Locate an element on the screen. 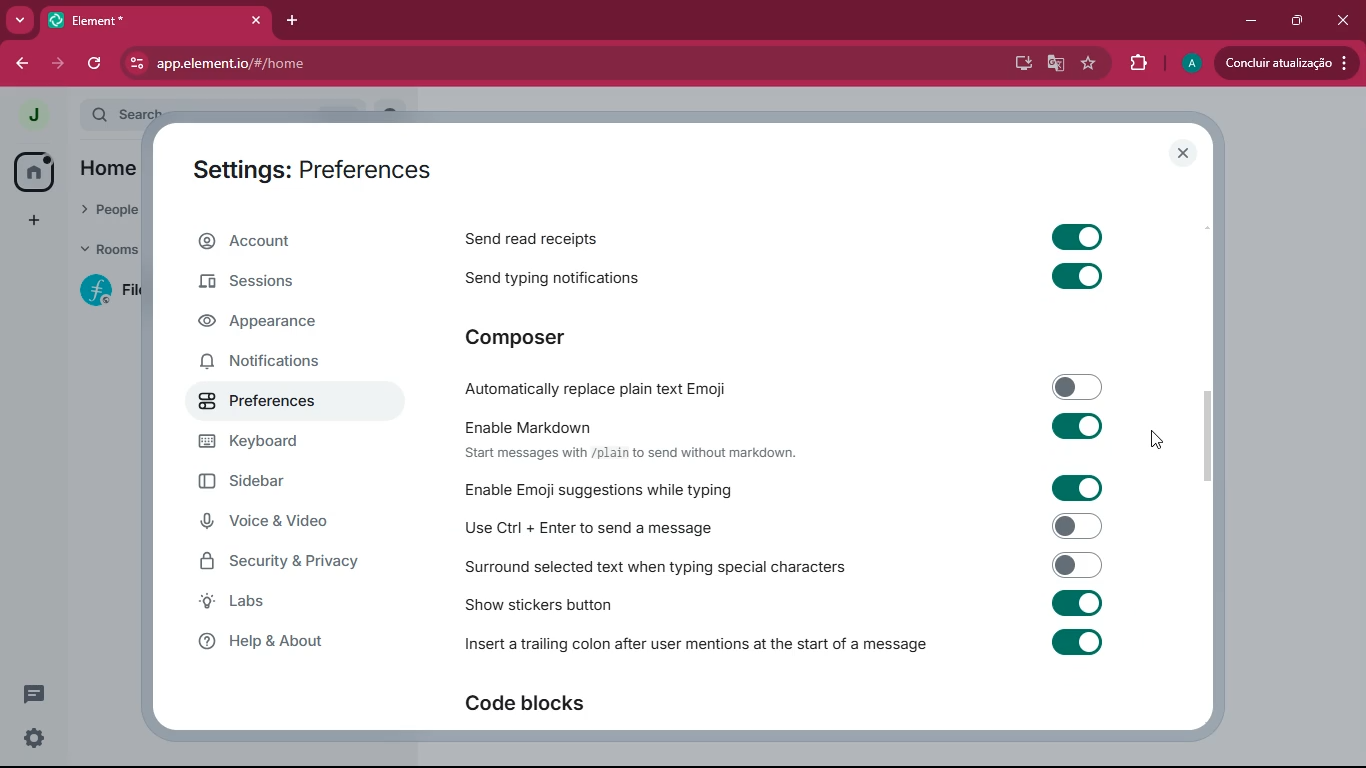  use ctrl enter is located at coordinates (595, 527).